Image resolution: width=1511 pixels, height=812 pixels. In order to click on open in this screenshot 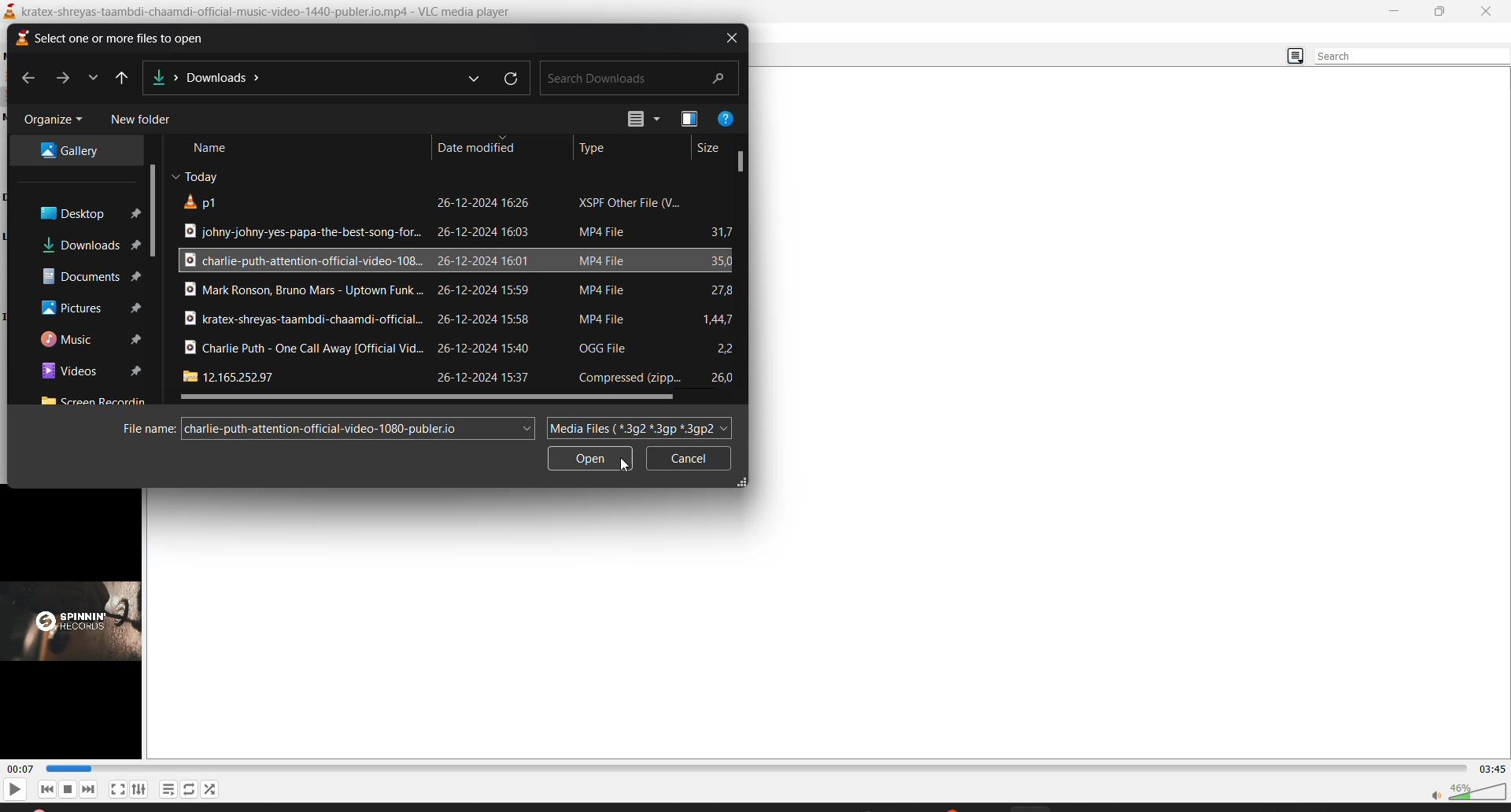, I will do `click(591, 459)`.